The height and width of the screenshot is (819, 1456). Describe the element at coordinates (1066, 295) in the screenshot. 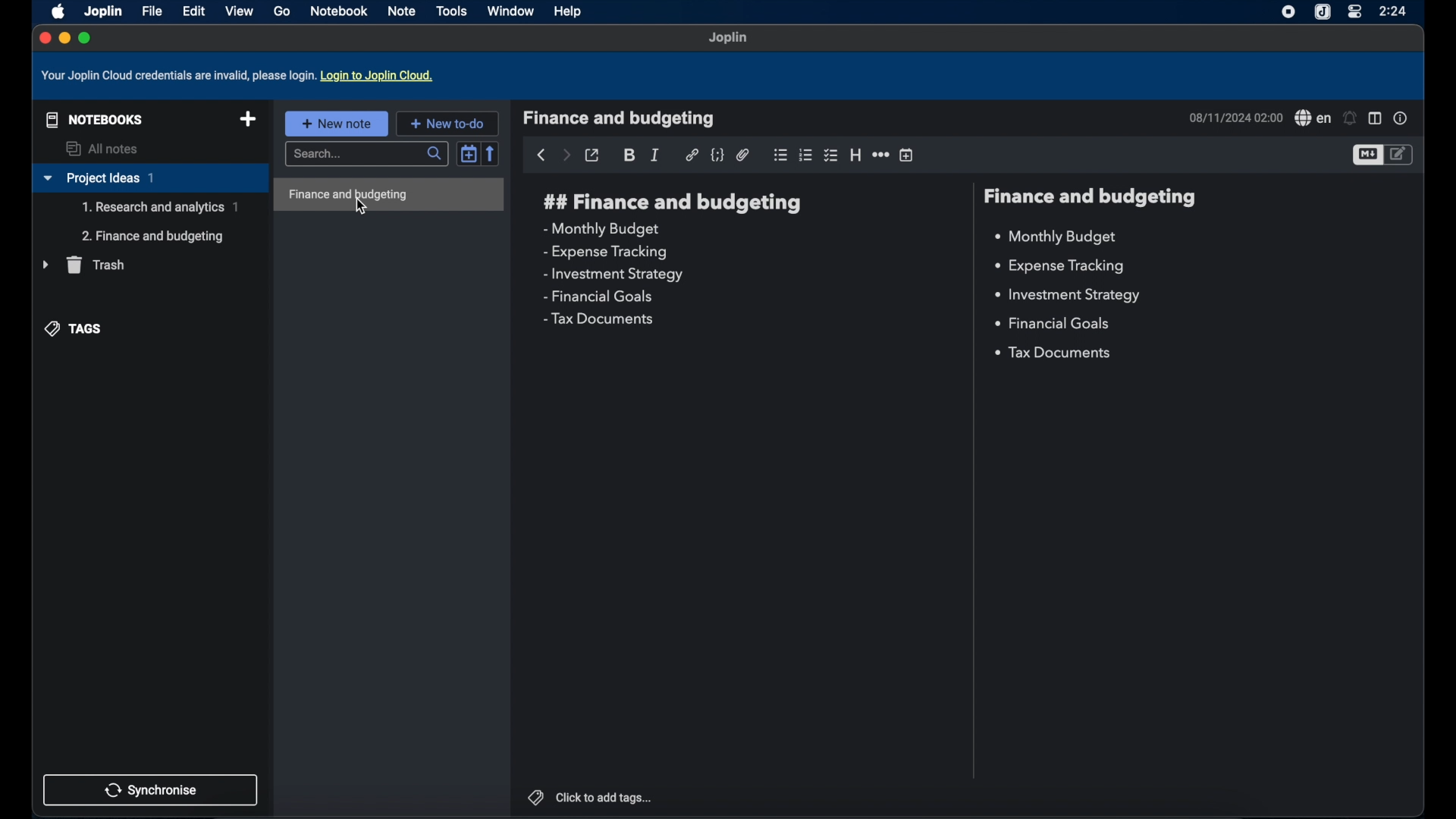

I see `investment strategy` at that location.